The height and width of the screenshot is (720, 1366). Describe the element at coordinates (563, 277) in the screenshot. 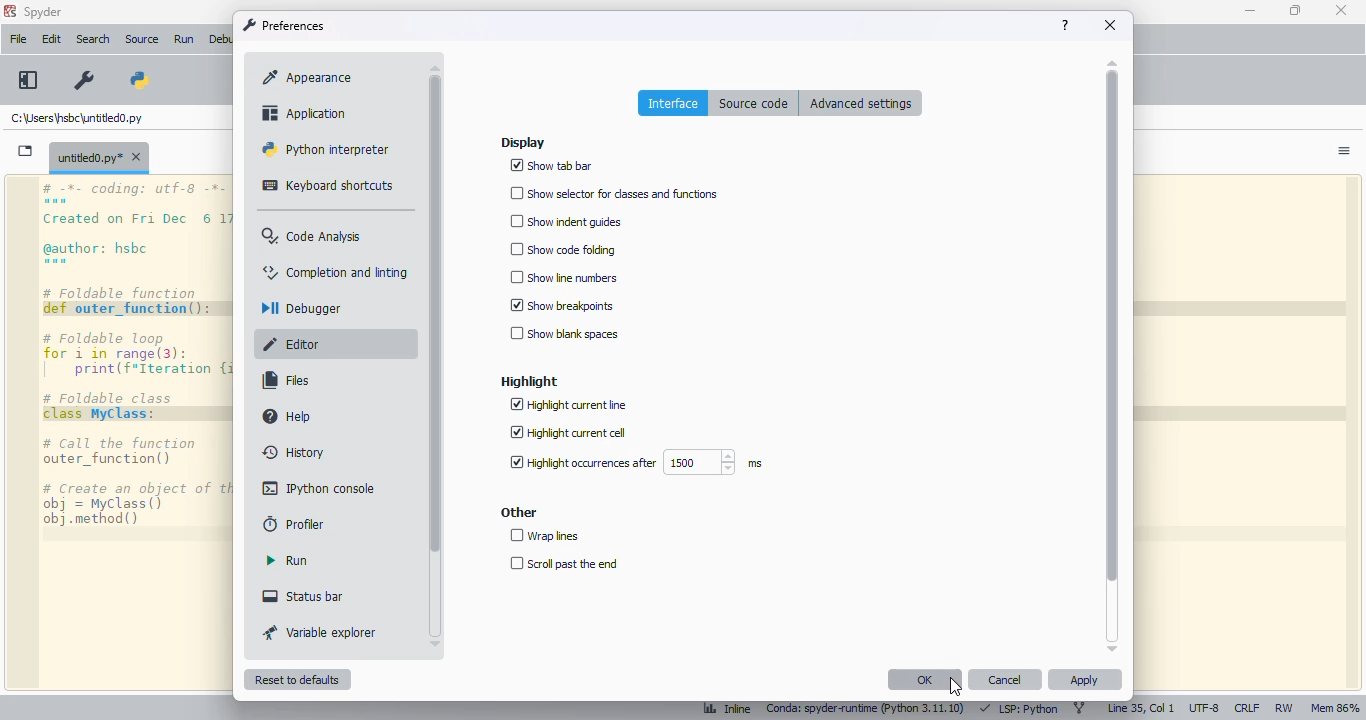

I see `show line numbers` at that location.